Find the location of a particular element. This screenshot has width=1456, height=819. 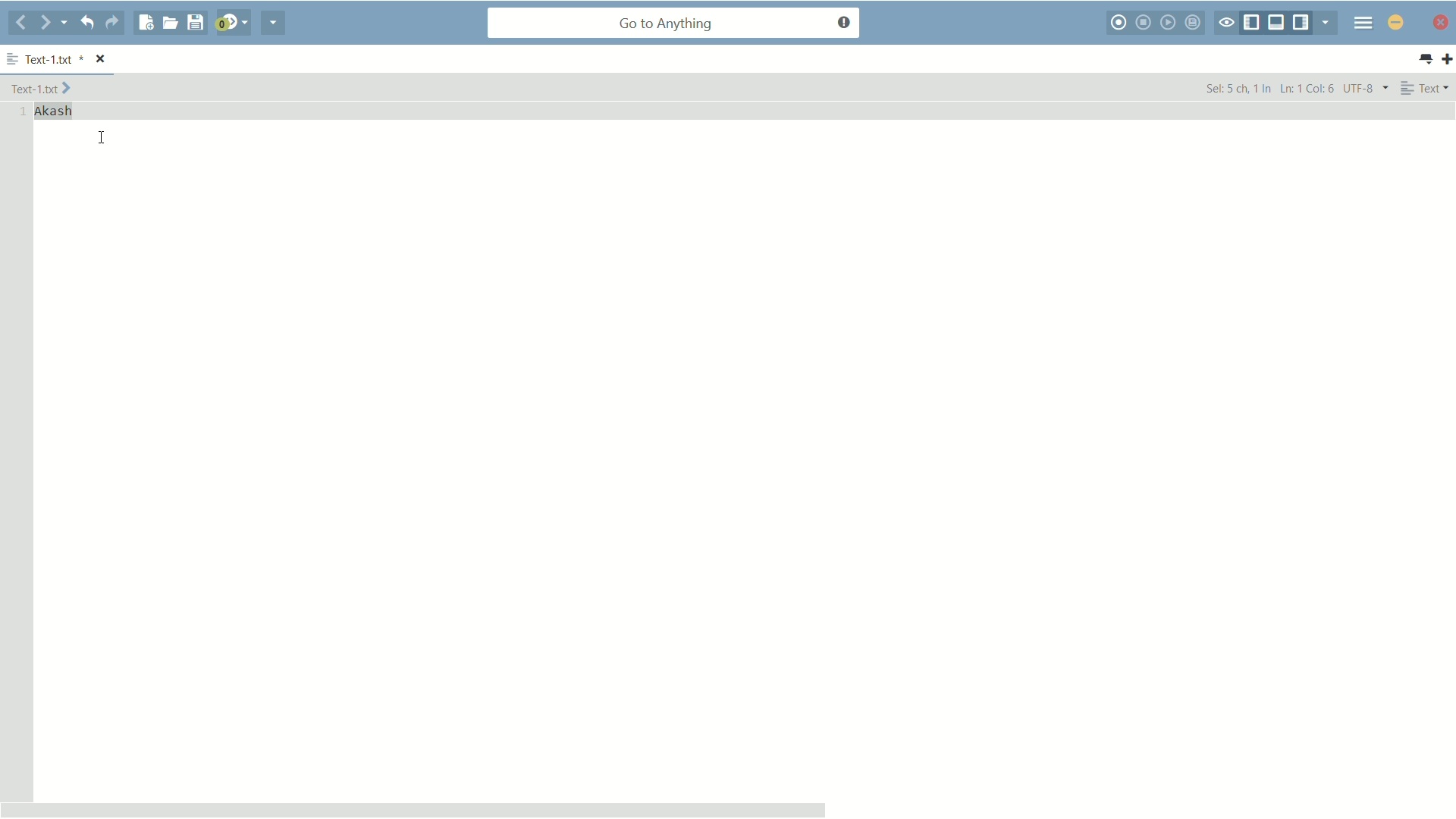

file type is located at coordinates (1426, 87).